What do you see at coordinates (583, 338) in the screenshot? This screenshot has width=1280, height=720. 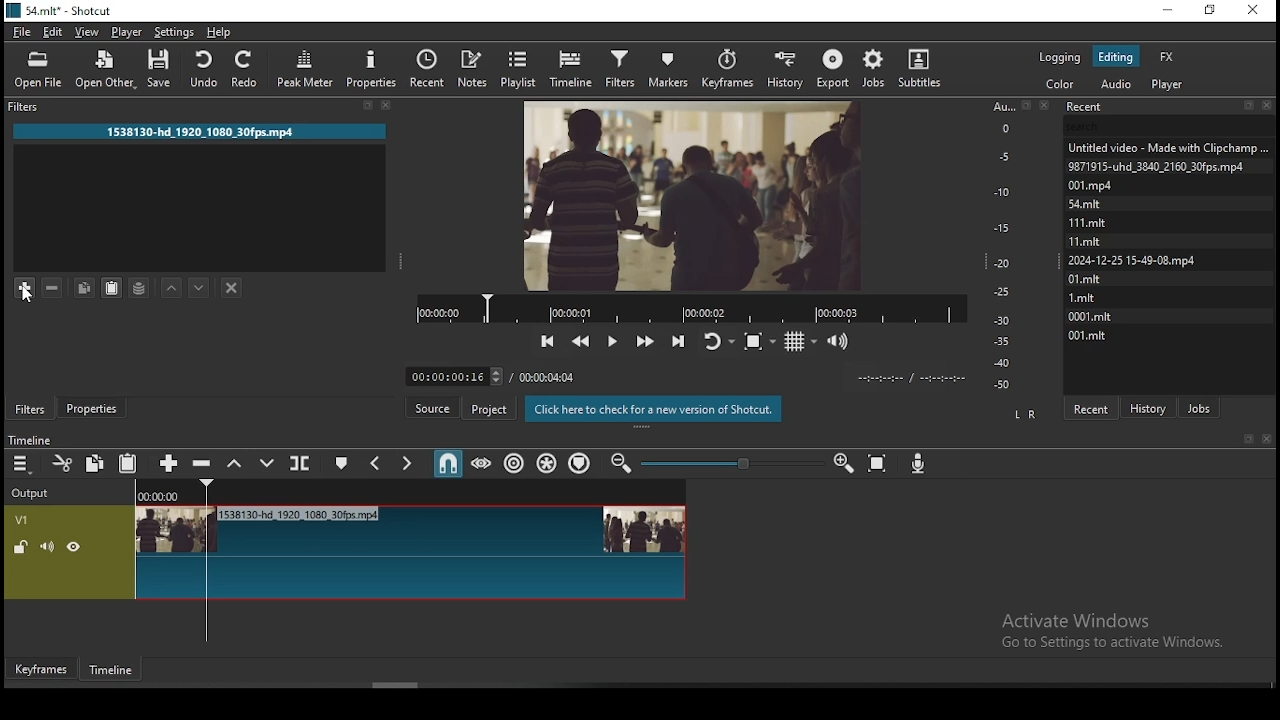 I see `play quickly backwards` at bounding box center [583, 338].